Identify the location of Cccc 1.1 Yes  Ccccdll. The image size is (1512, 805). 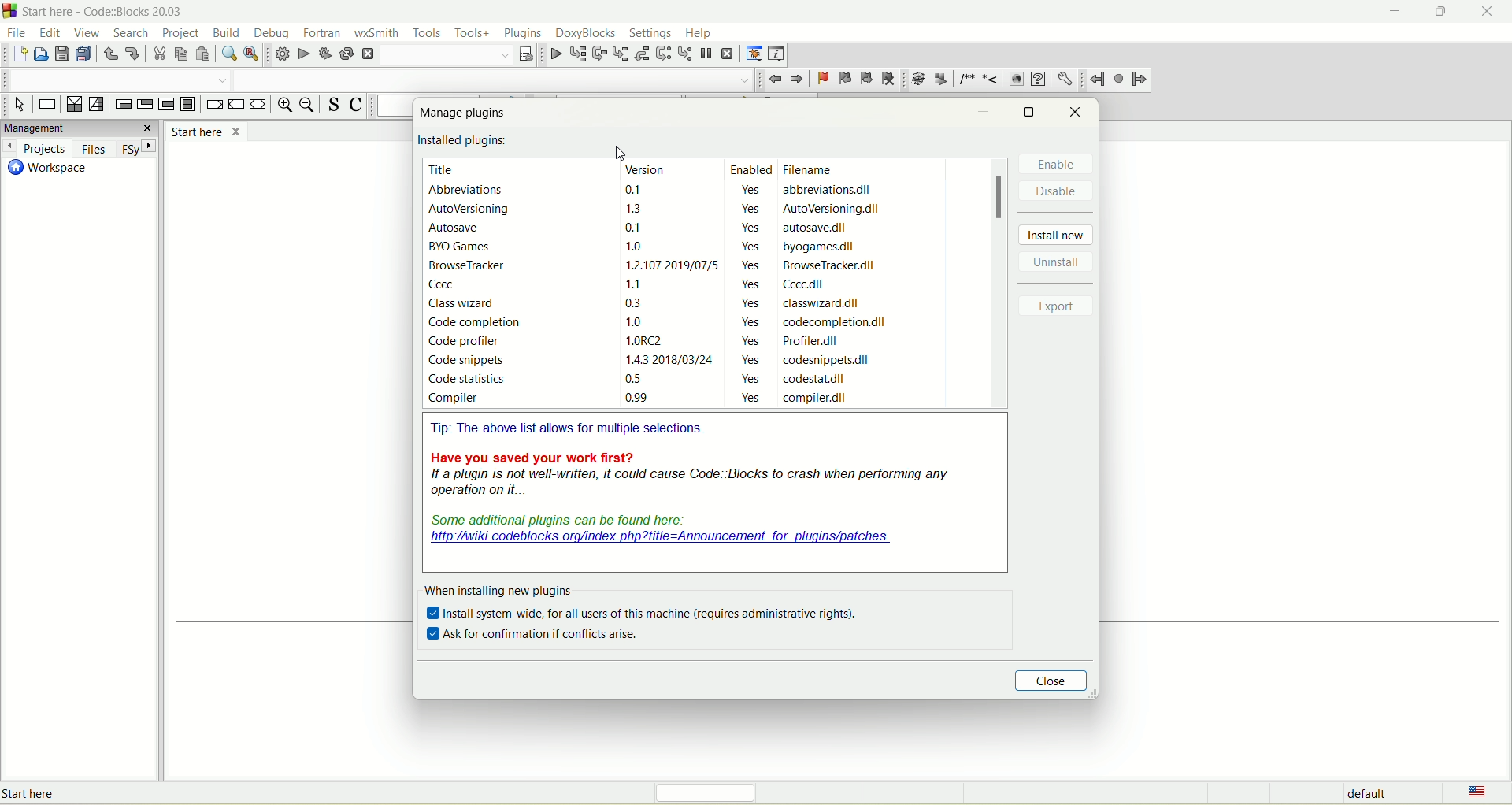
(649, 284).